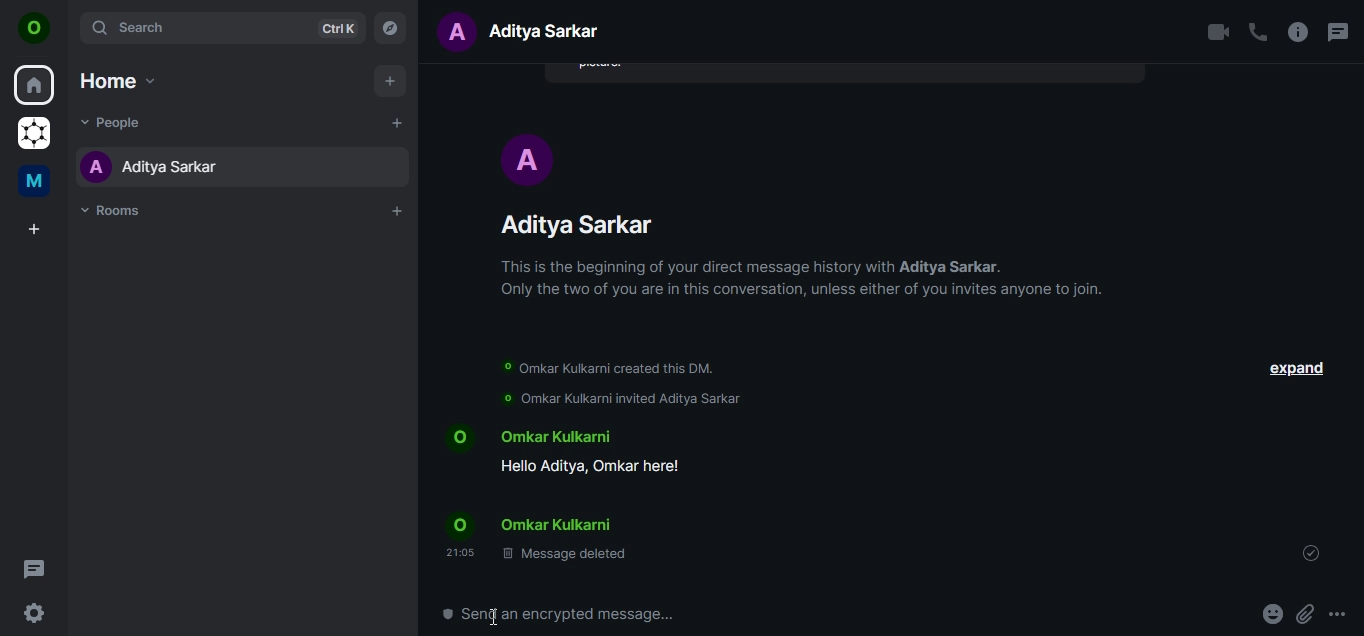 The image size is (1364, 636). I want to click on room info, so click(1296, 31).